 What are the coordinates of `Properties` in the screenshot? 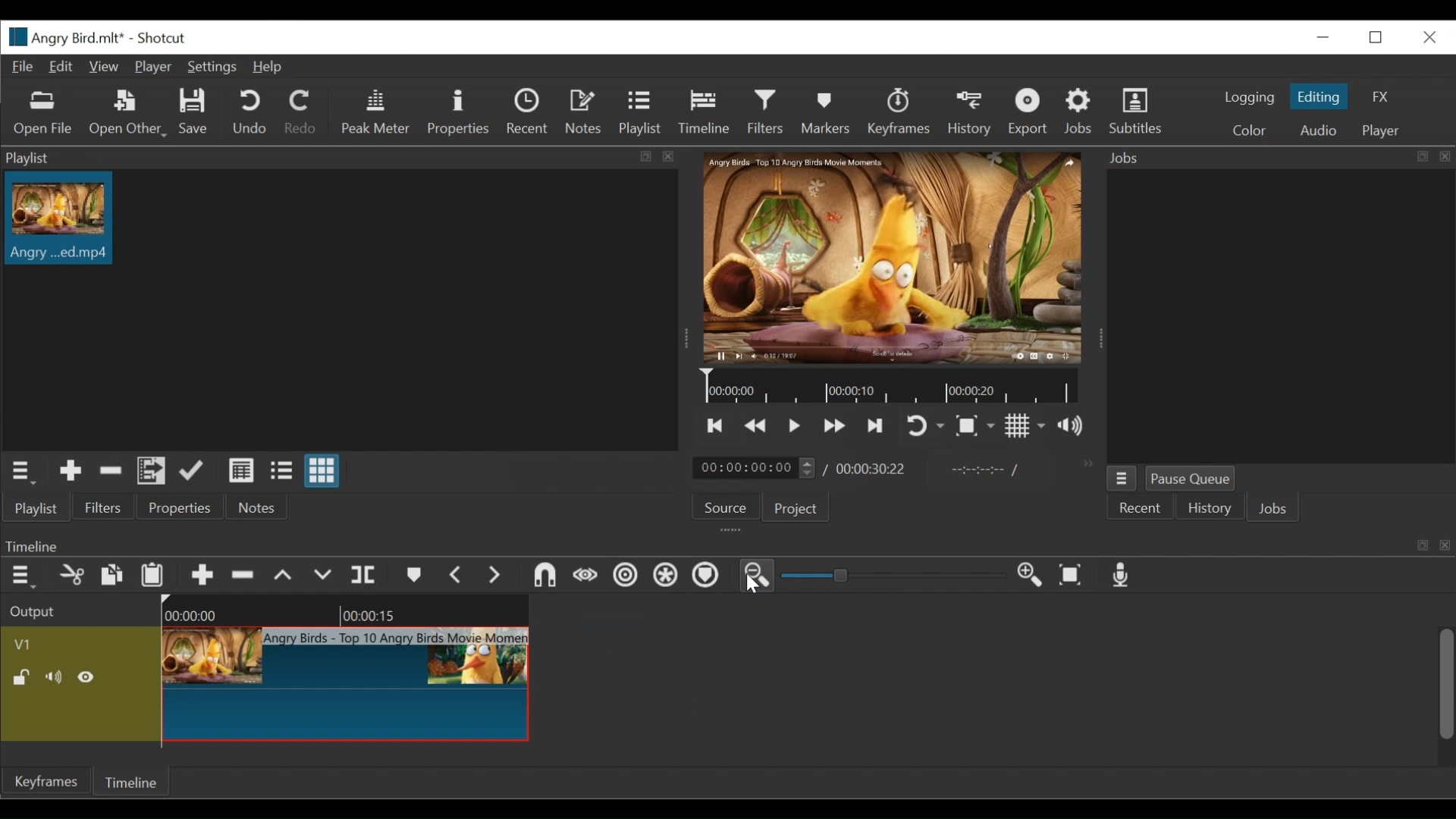 It's located at (180, 507).